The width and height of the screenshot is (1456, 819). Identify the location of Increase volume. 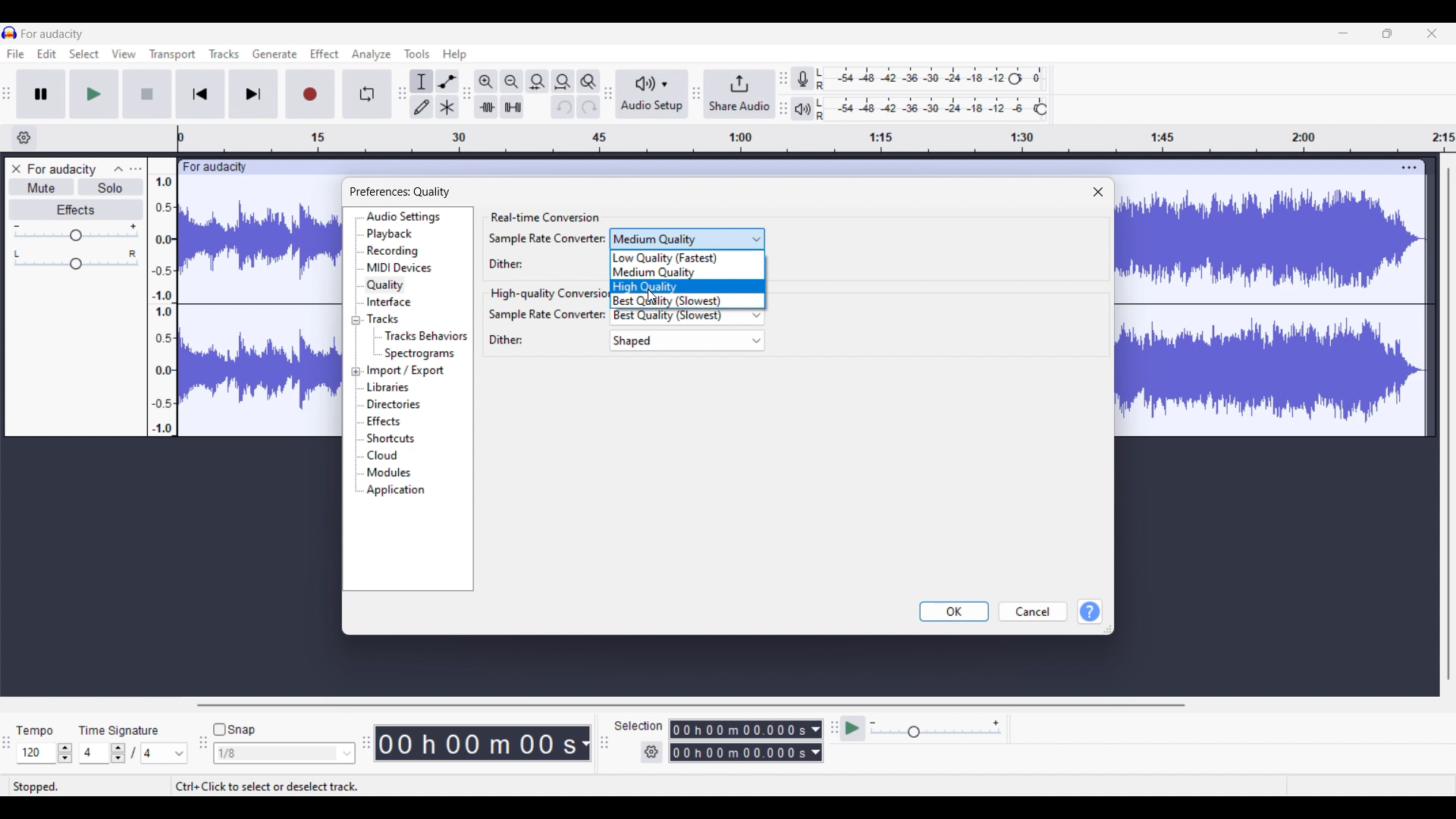
(133, 226).